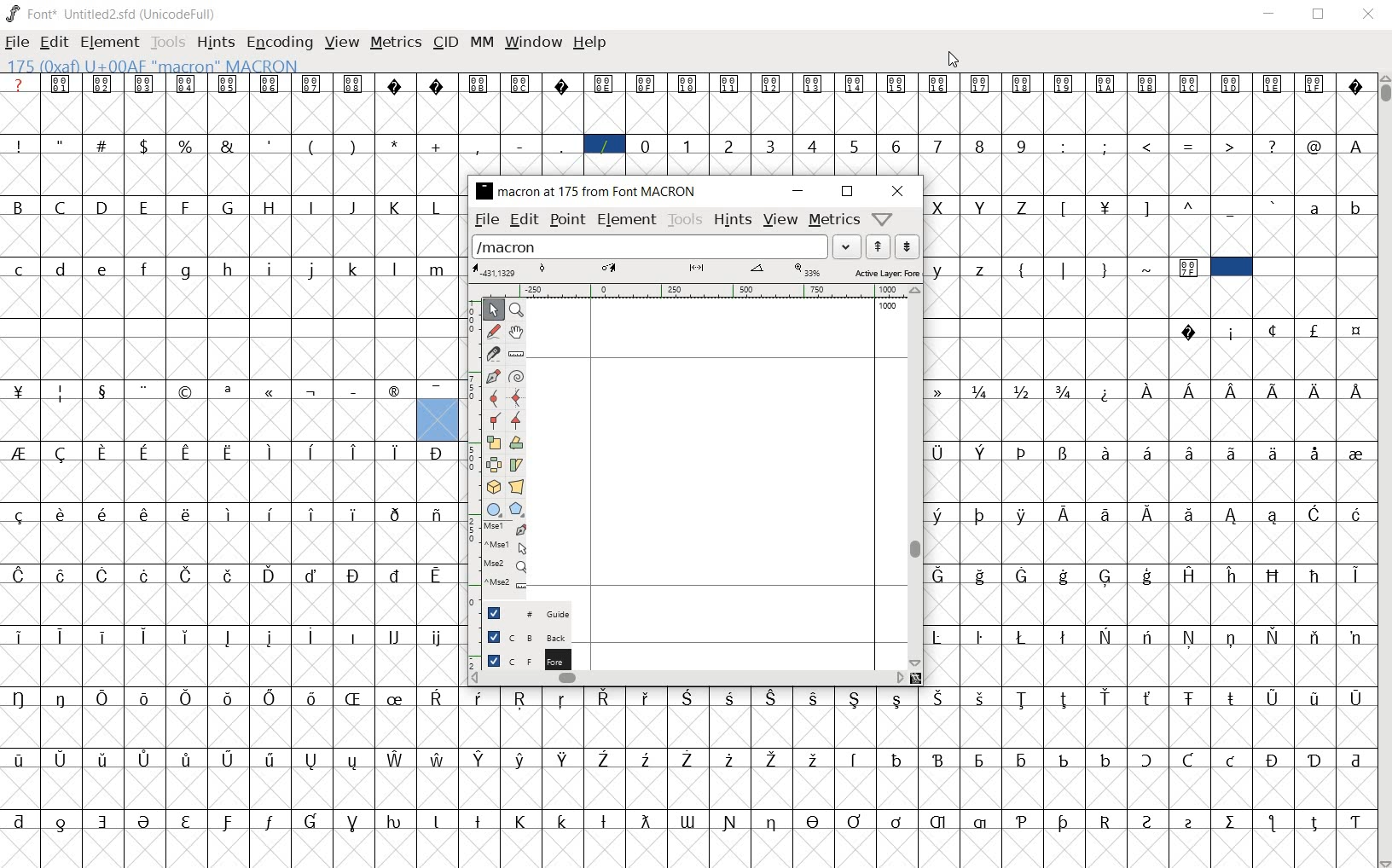 This screenshot has width=1392, height=868. I want to click on Symbol, so click(1230, 451).